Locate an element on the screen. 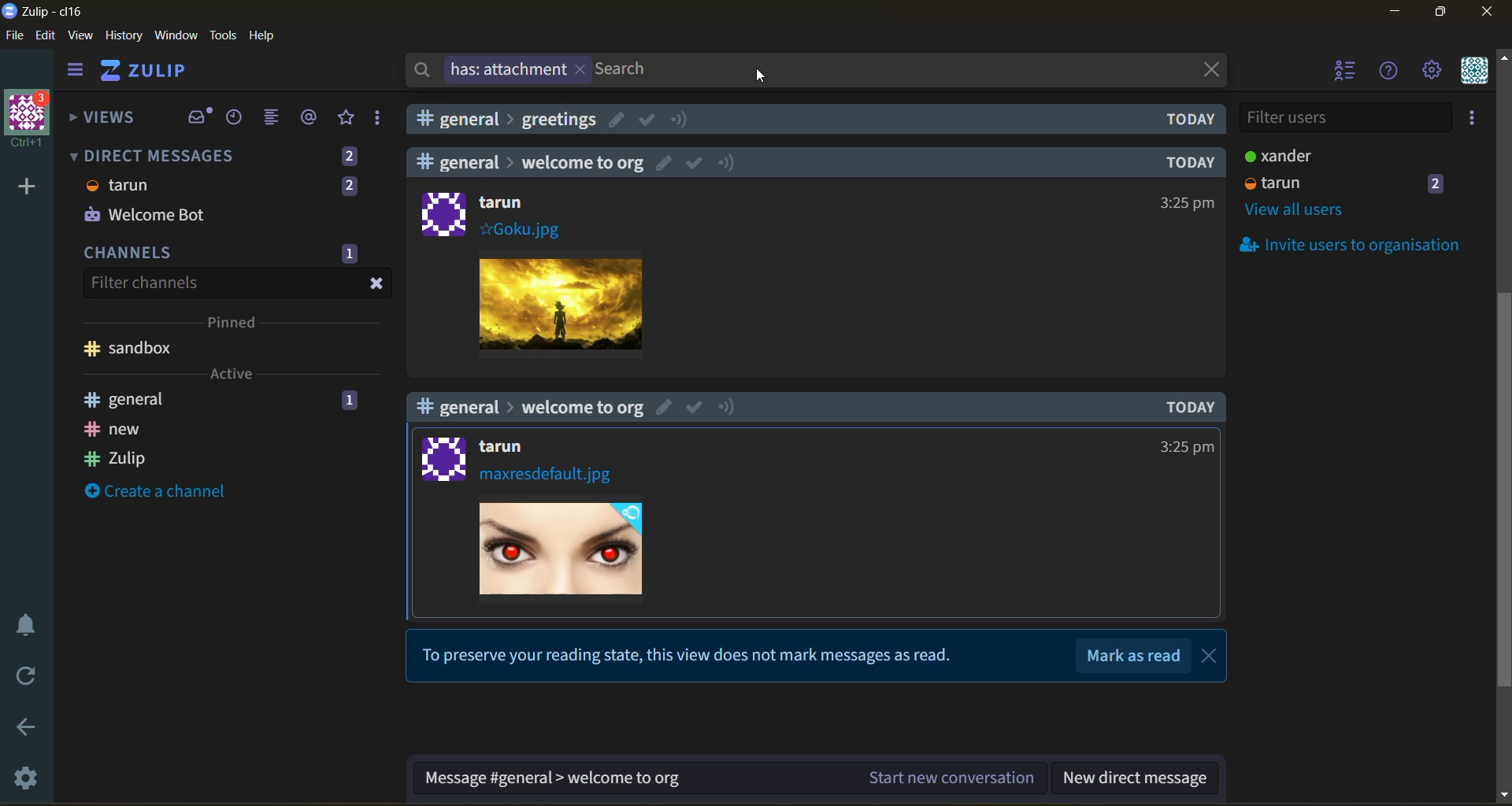  drafts and reactions is located at coordinates (379, 119).